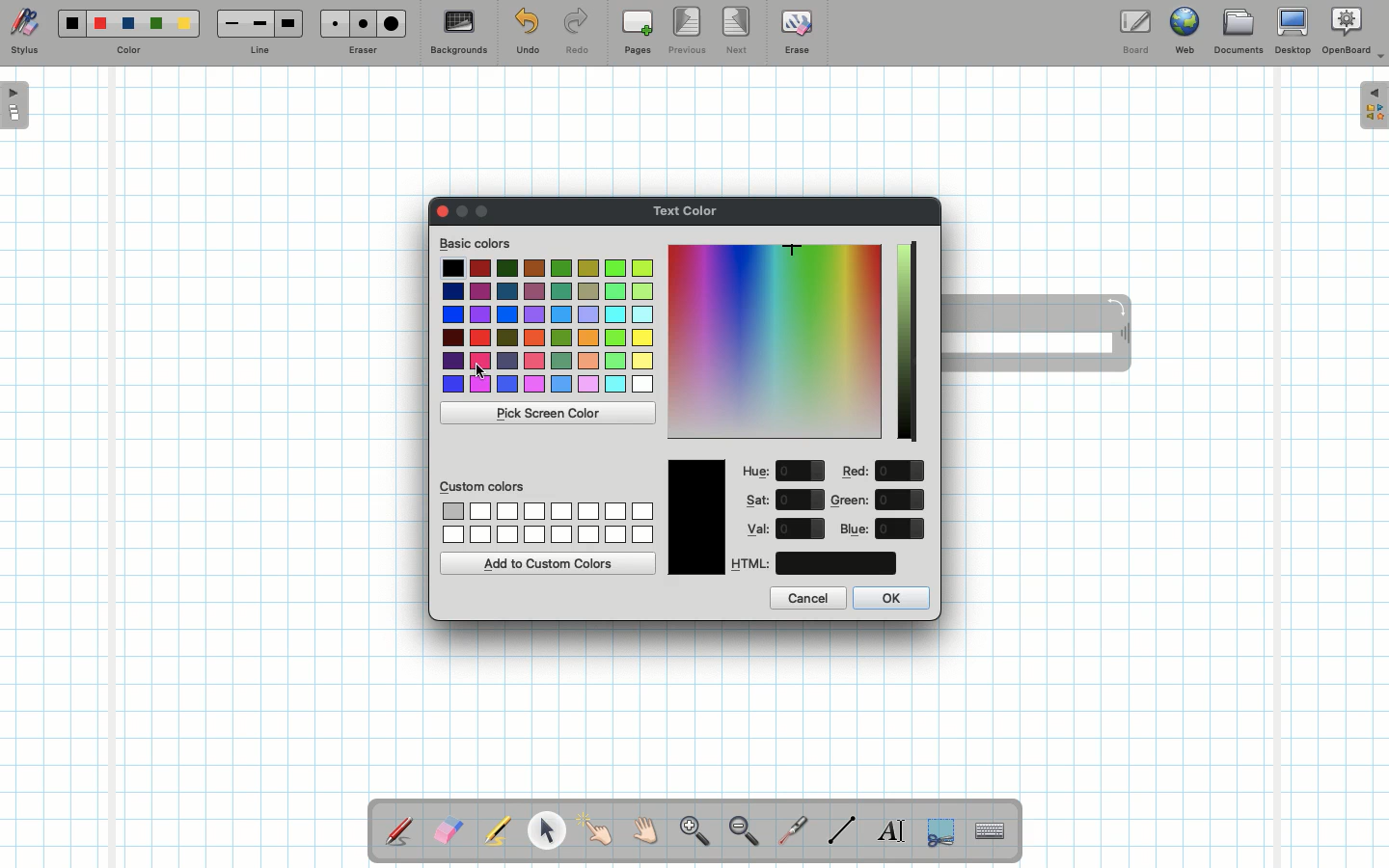  Describe the element at coordinates (126, 51) in the screenshot. I see `Color` at that location.